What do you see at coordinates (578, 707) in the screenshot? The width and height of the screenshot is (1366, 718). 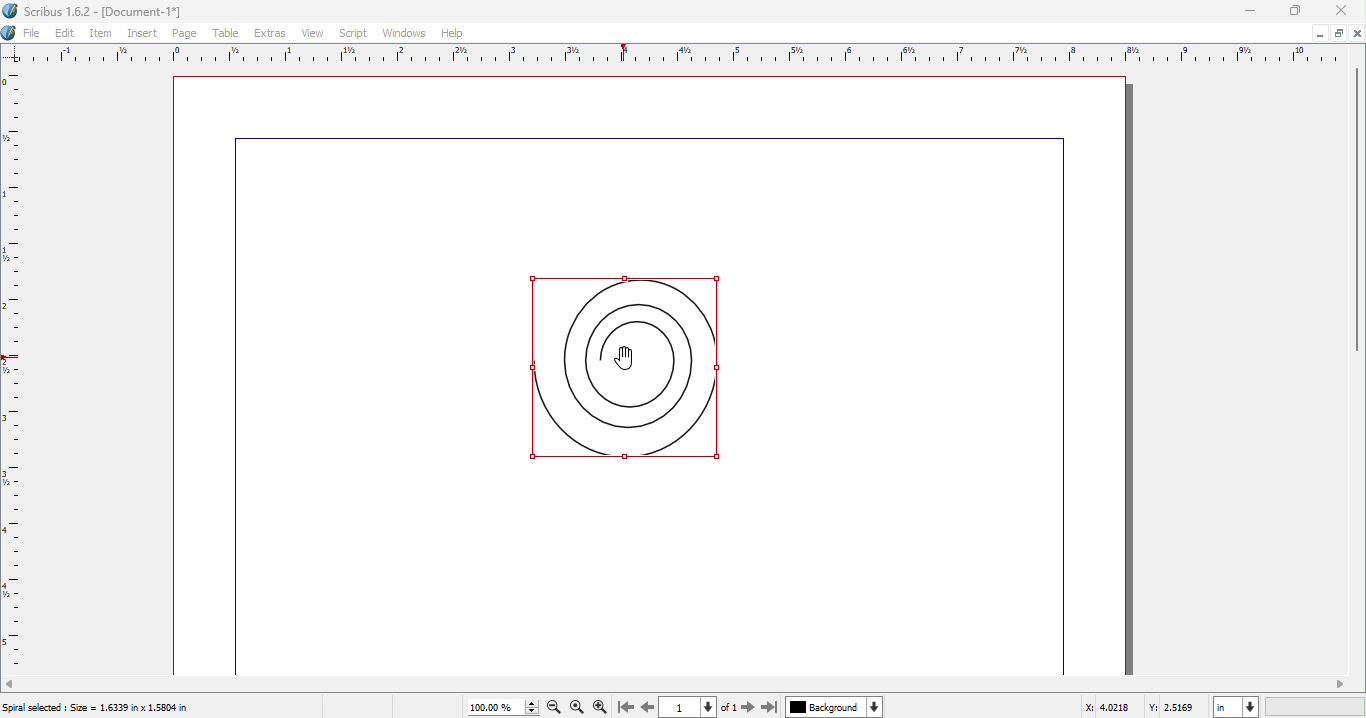 I see `Zoom to 100%` at bounding box center [578, 707].